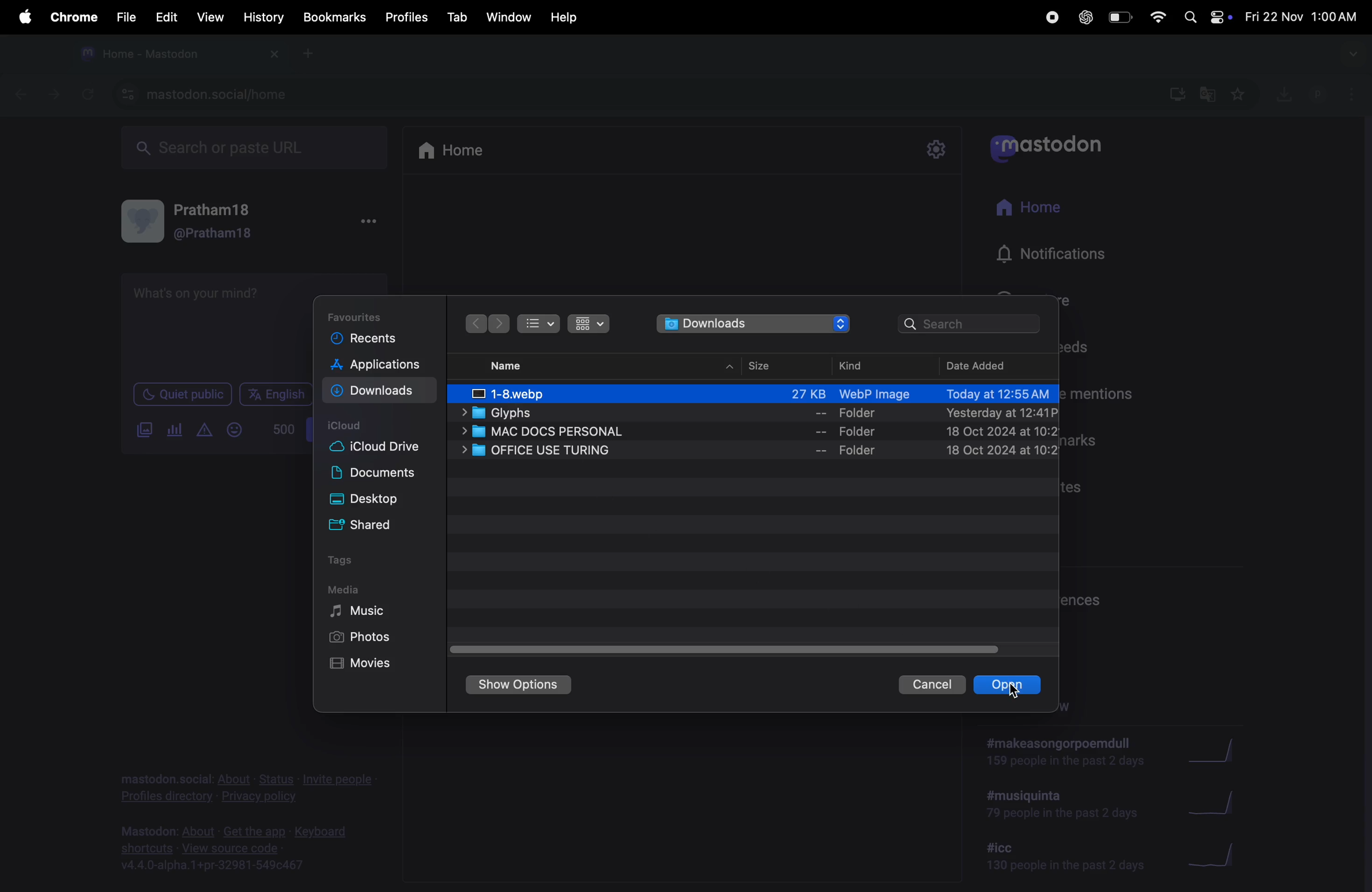 The image size is (1372, 892). Describe the element at coordinates (360, 589) in the screenshot. I see `media` at that location.